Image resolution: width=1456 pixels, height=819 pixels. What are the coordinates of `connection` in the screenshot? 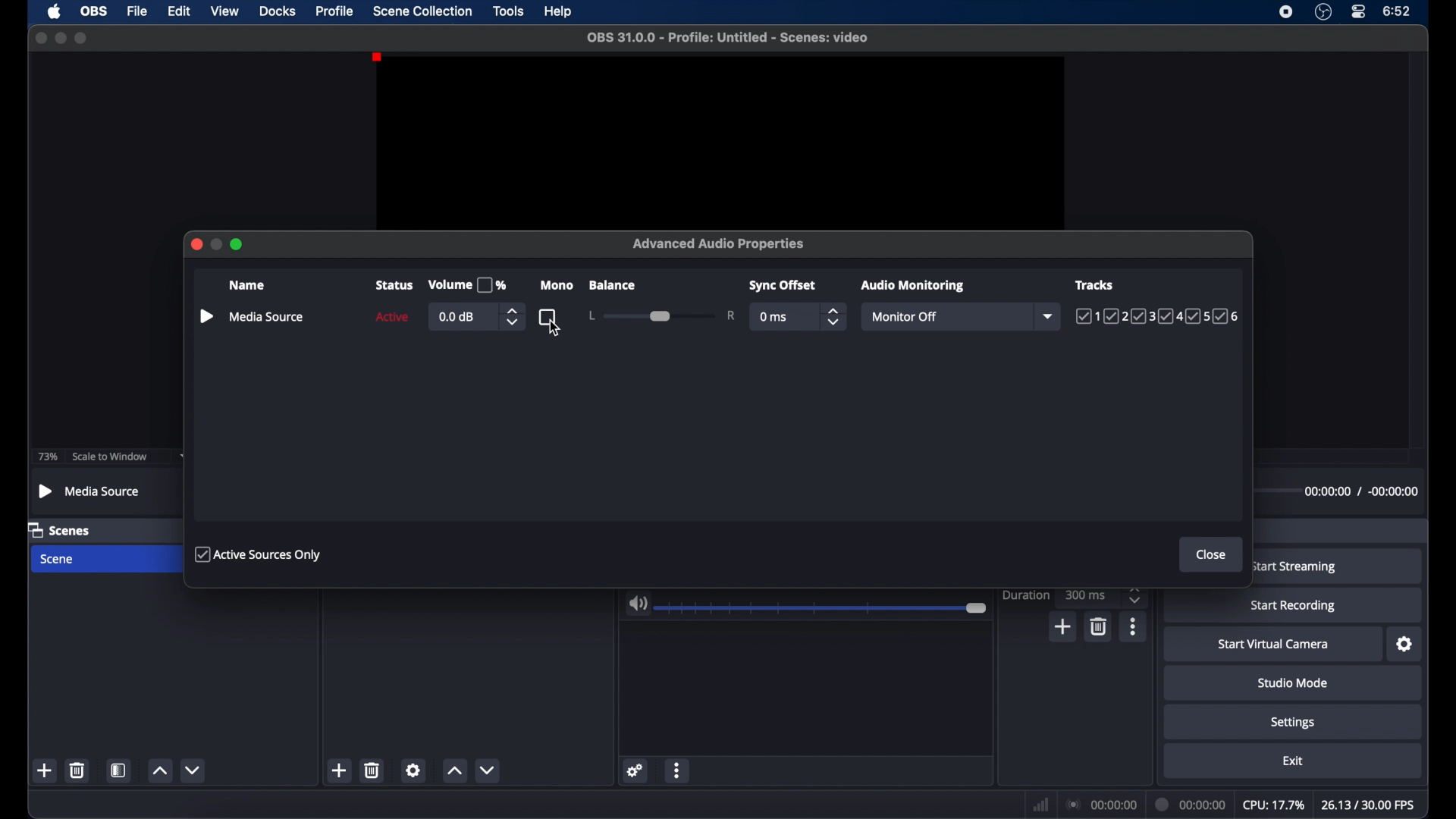 It's located at (1103, 805).